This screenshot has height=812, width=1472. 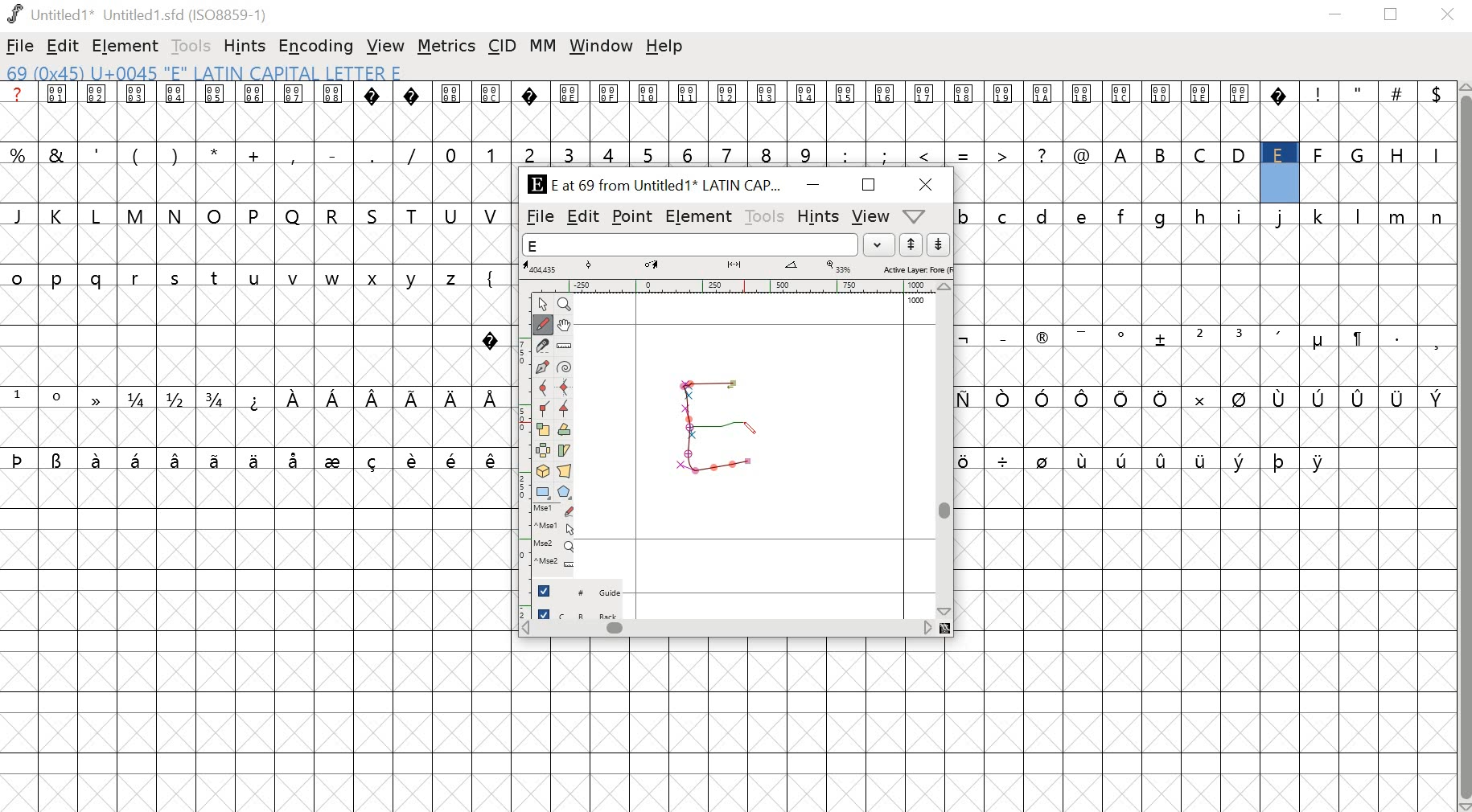 What do you see at coordinates (911, 244) in the screenshot?
I see `up` at bounding box center [911, 244].